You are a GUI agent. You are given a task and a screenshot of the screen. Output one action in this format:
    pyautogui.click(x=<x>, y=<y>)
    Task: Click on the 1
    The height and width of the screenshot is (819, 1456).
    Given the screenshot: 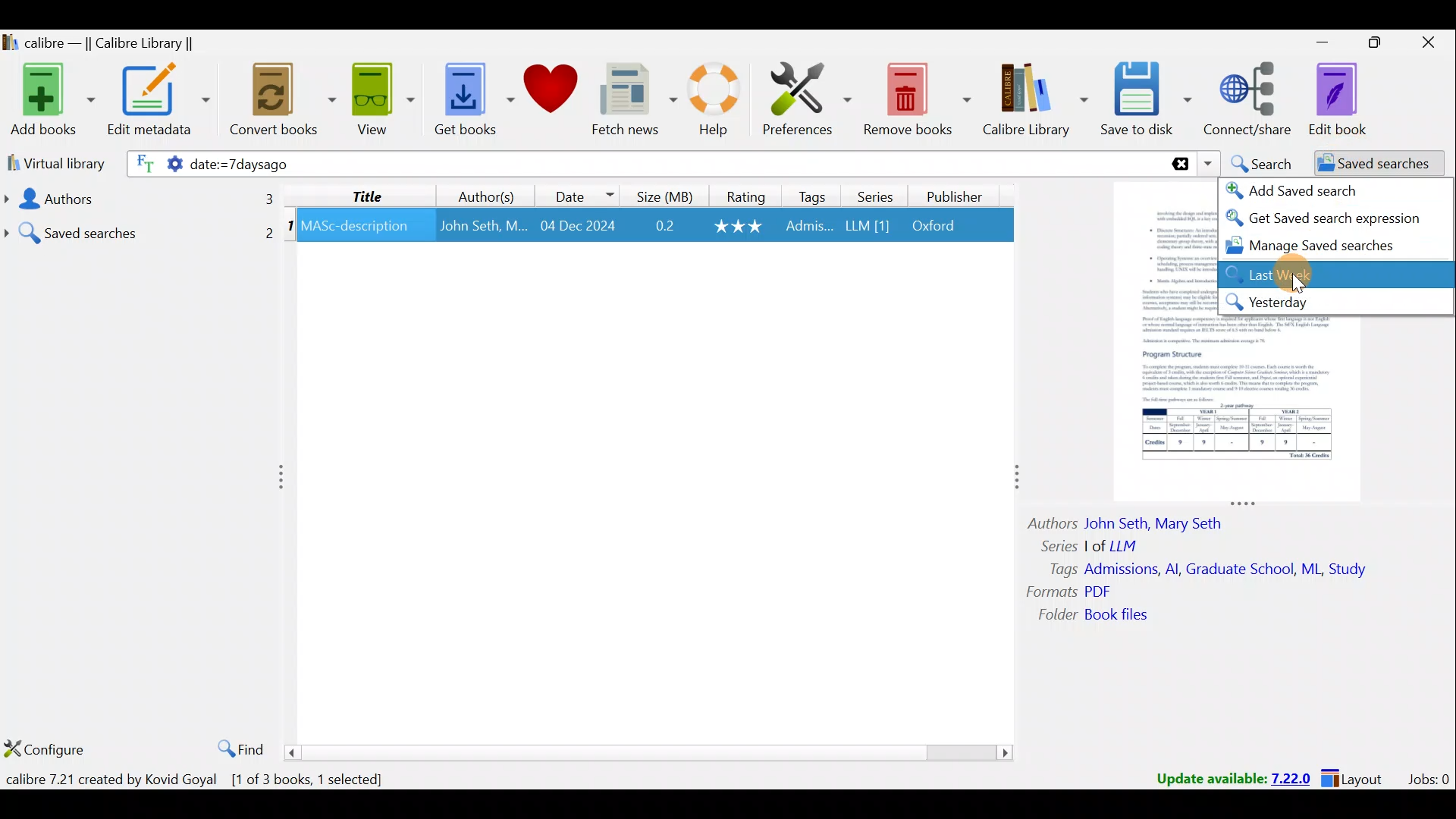 What is the action you would take?
    pyautogui.click(x=290, y=228)
    